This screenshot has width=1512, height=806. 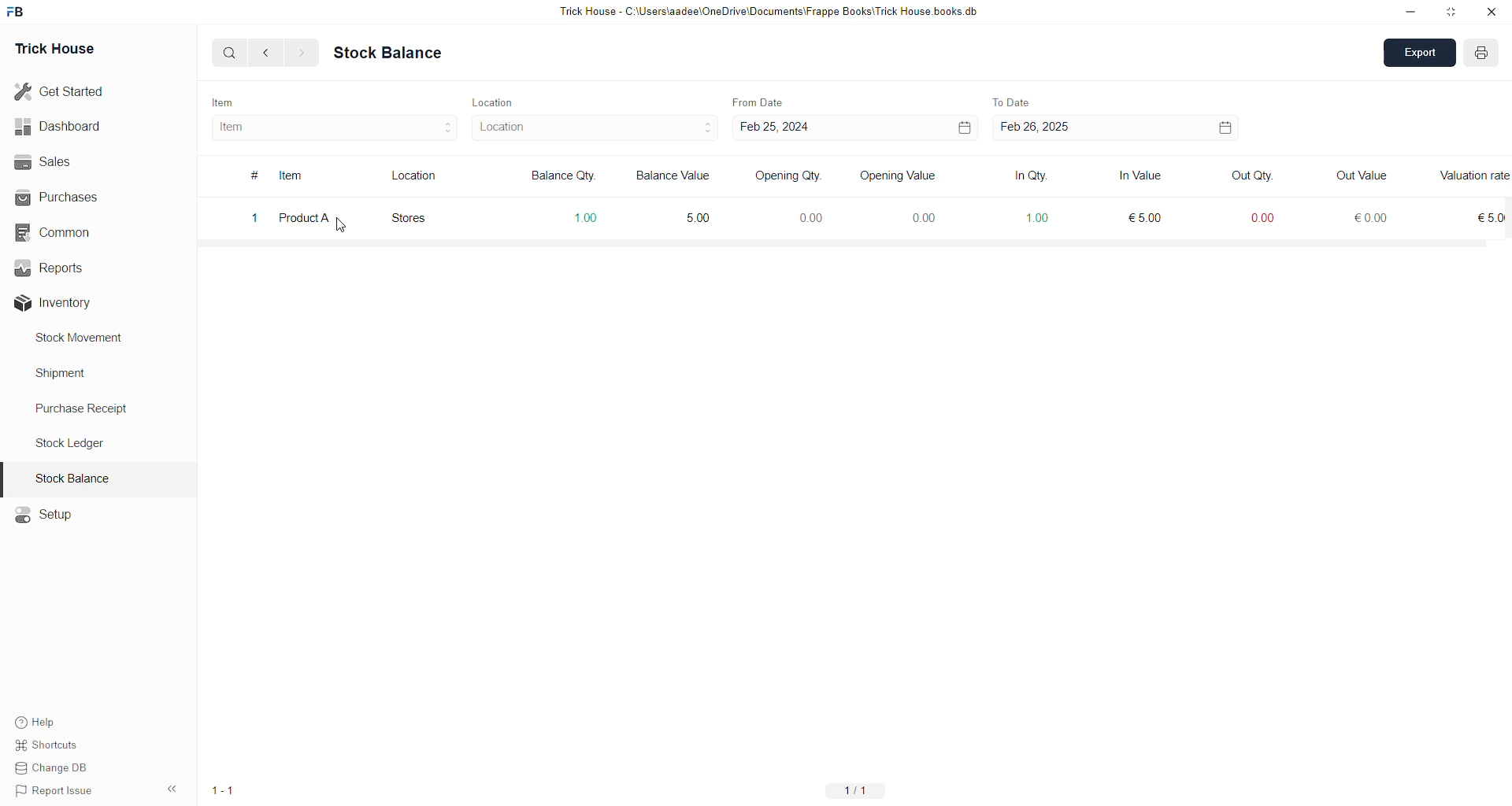 What do you see at coordinates (56, 306) in the screenshot?
I see `Inventory` at bounding box center [56, 306].